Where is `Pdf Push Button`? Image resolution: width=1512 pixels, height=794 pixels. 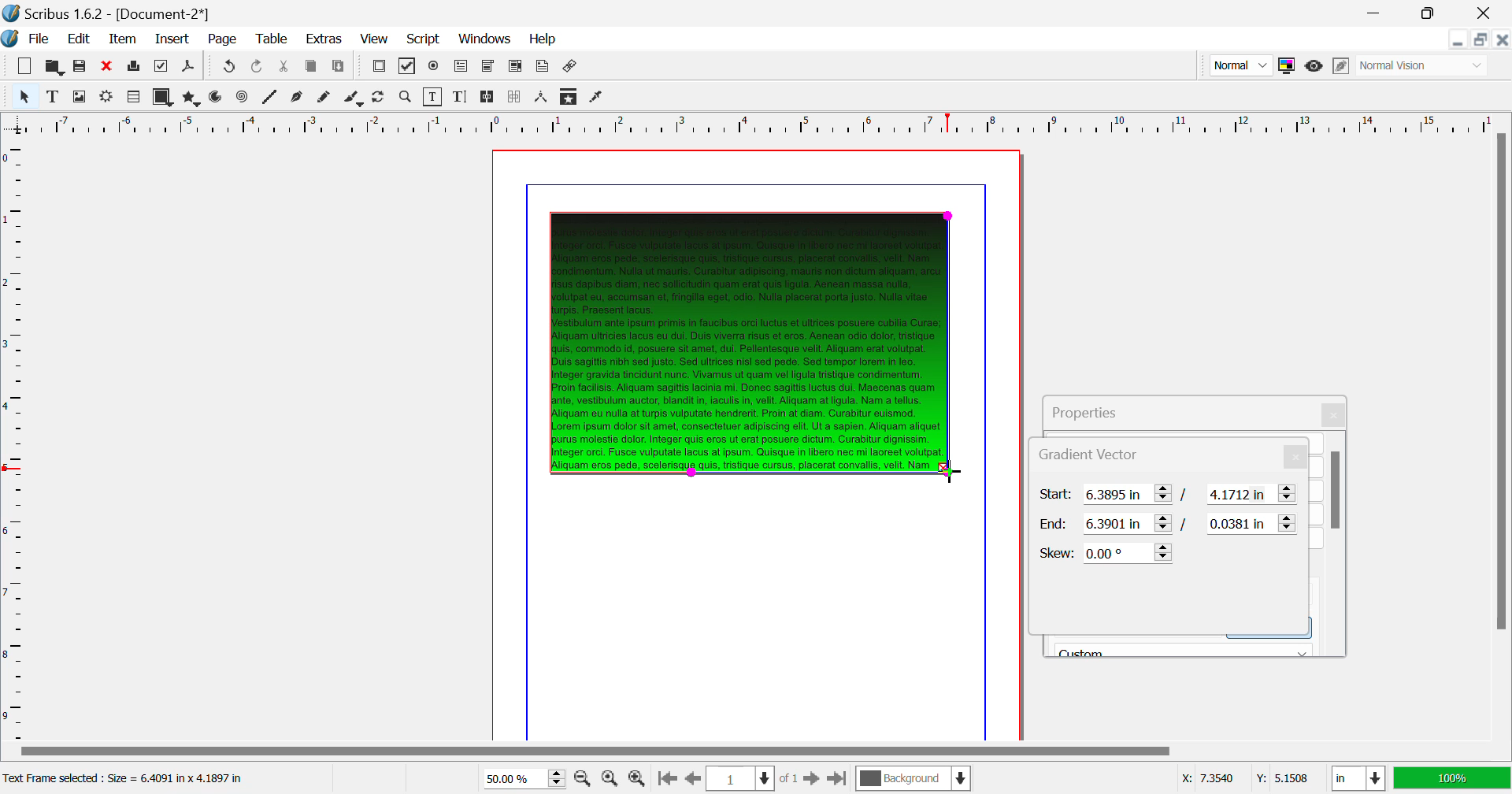
Pdf Push Button is located at coordinates (379, 68).